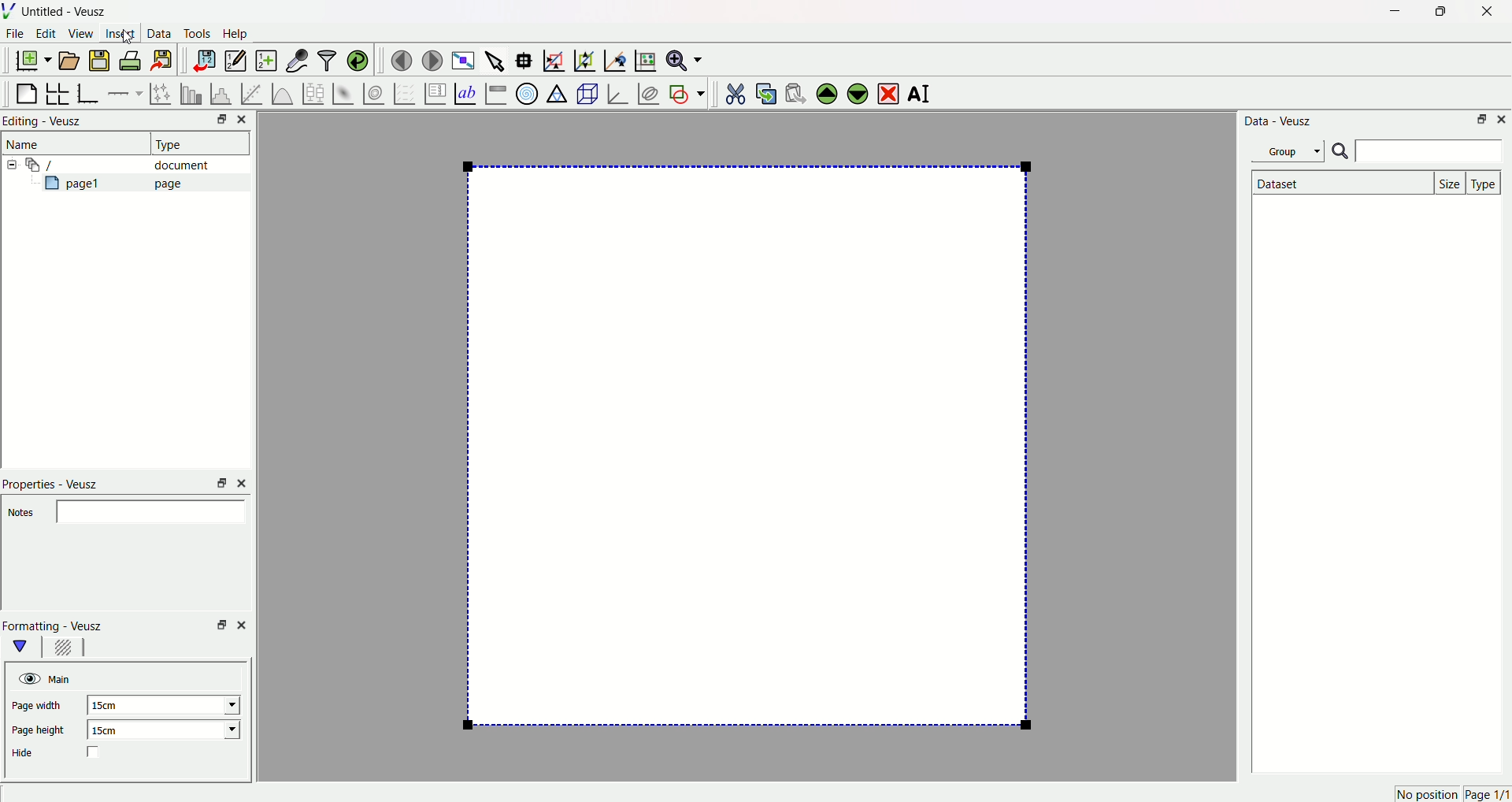 This screenshot has width=1512, height=802. Describe the element at coordinates (28, 678) in the screenshot. I see `hide/unhide` at that location.